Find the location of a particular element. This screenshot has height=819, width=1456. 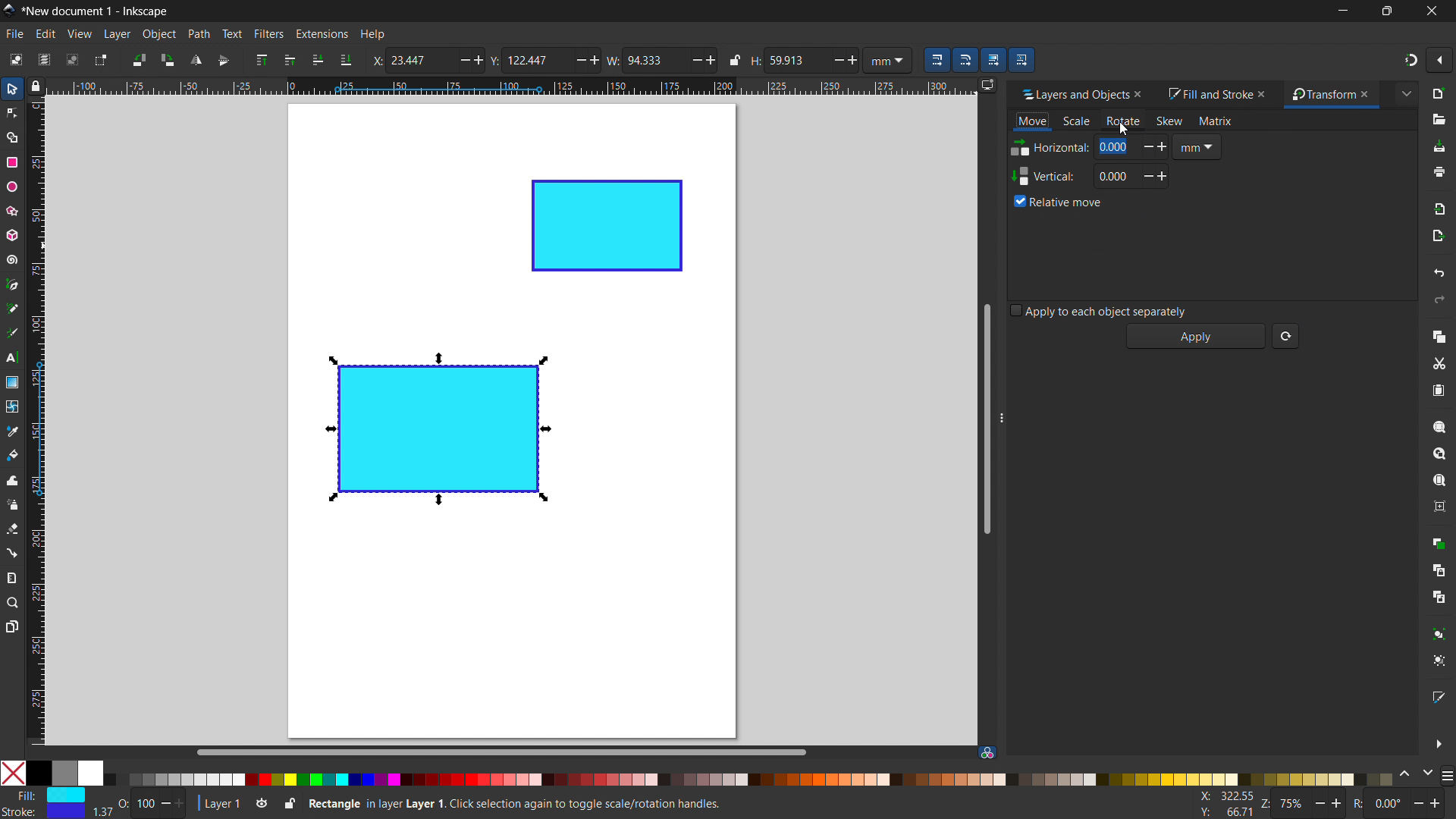

snapping options is located at coordinates (1439, 60).